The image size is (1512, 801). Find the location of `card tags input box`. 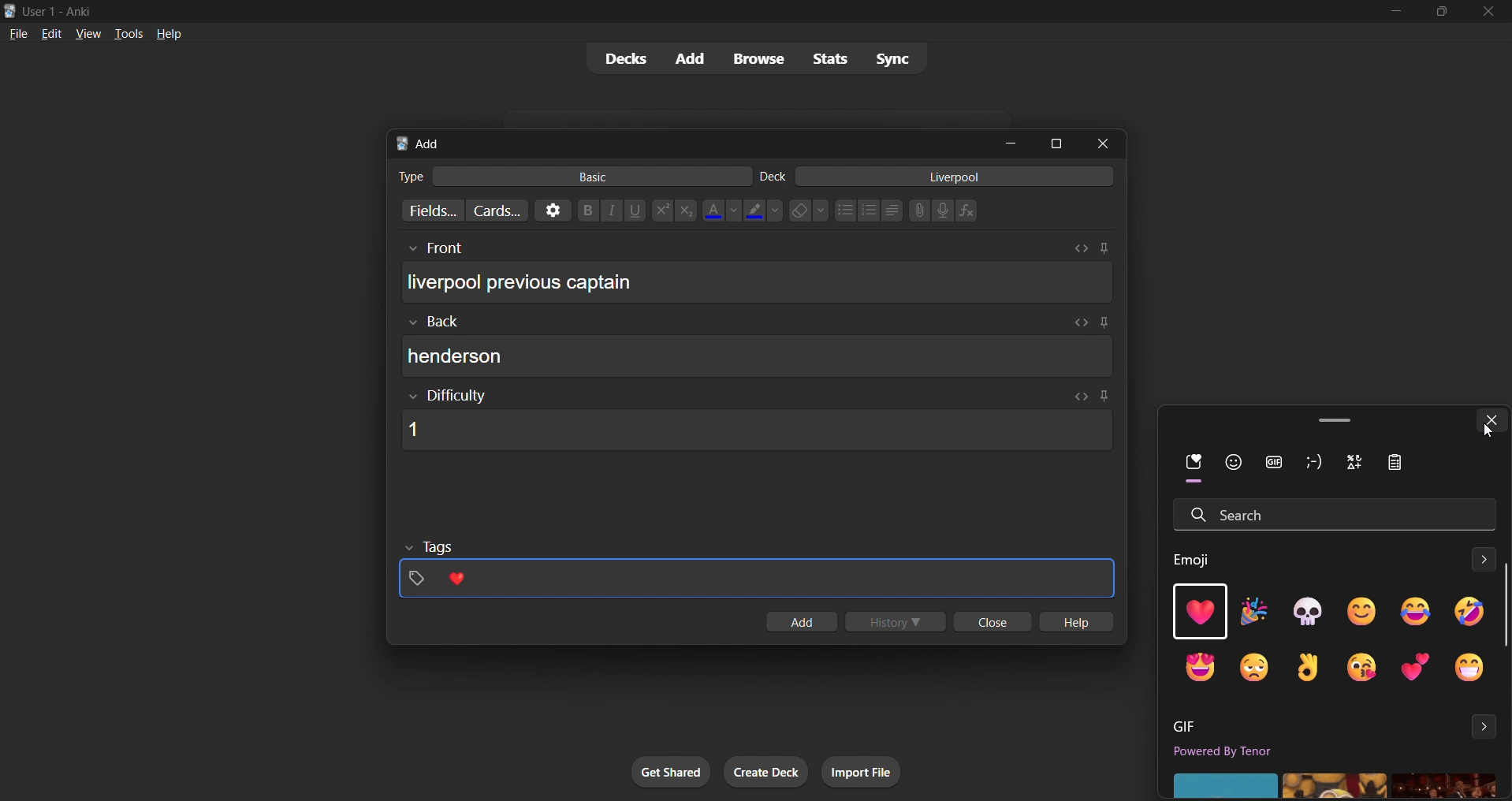

card tags input box is located at coordinates (758, 571).